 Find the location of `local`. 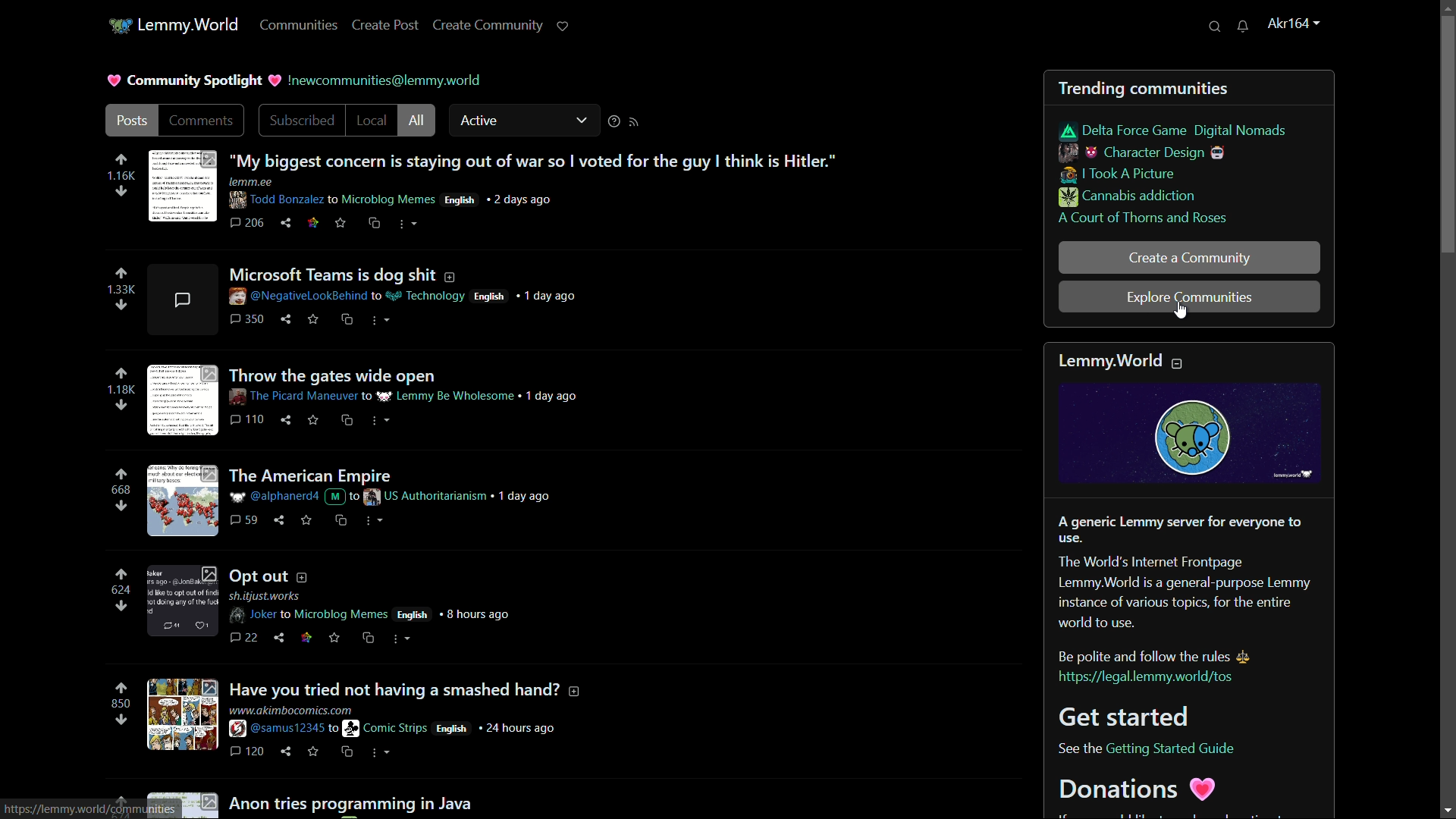

local is located at coordinates (372, 121).